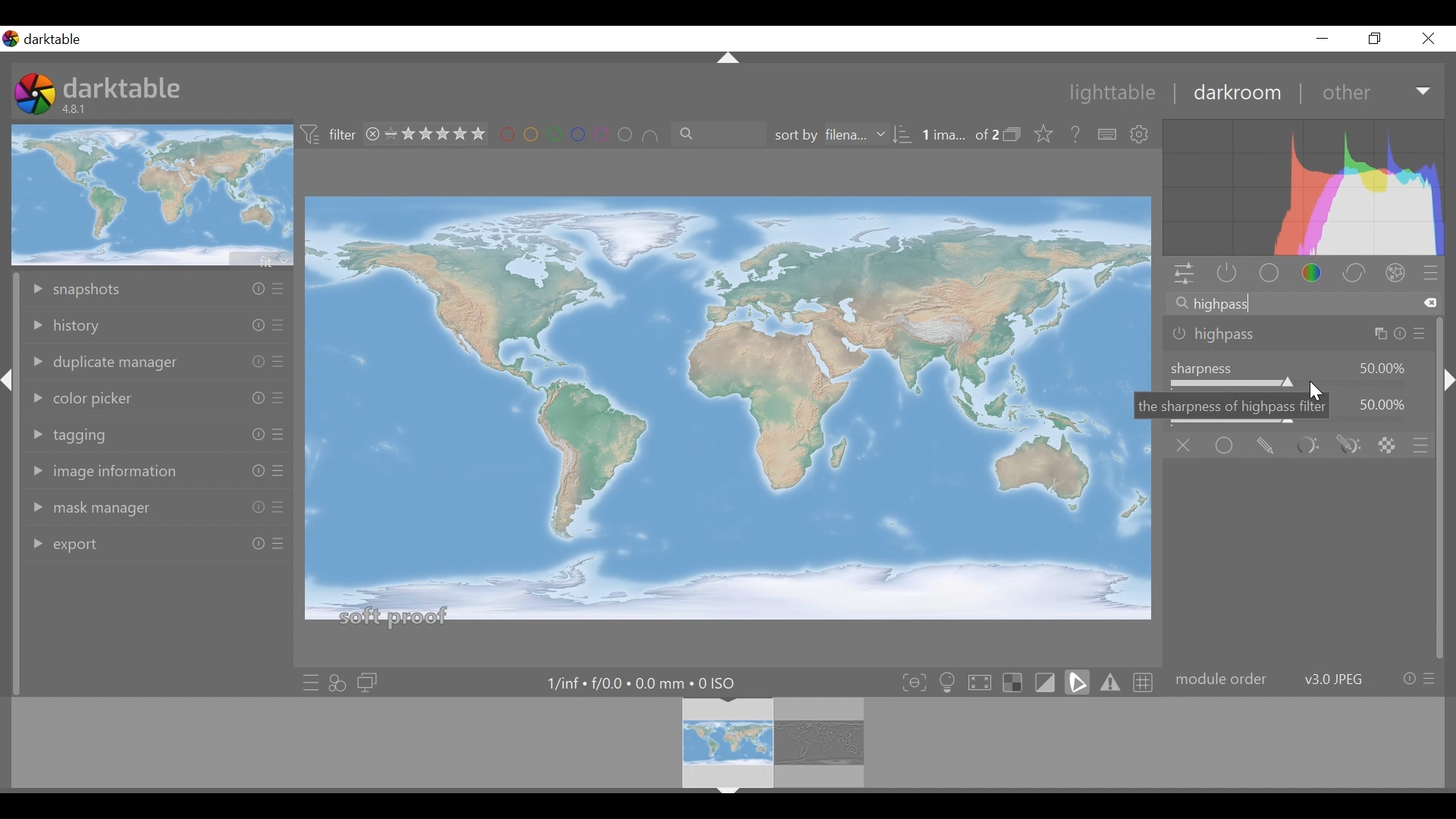  Describe the element at coordinates (1222, 306) in the screenshot. I see `highpass` at that location.